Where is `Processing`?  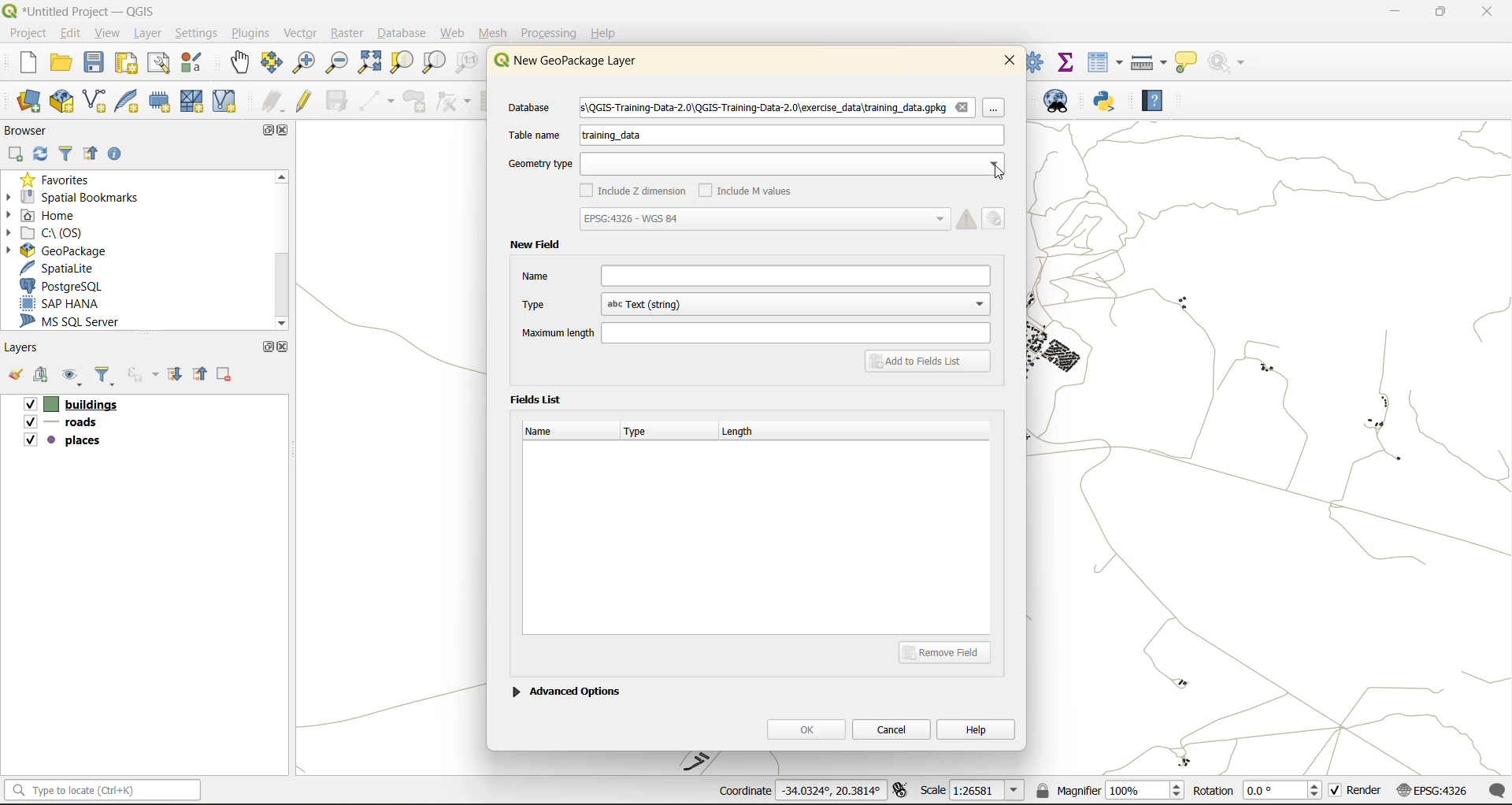
Processing is located at coordinates (551, 31).